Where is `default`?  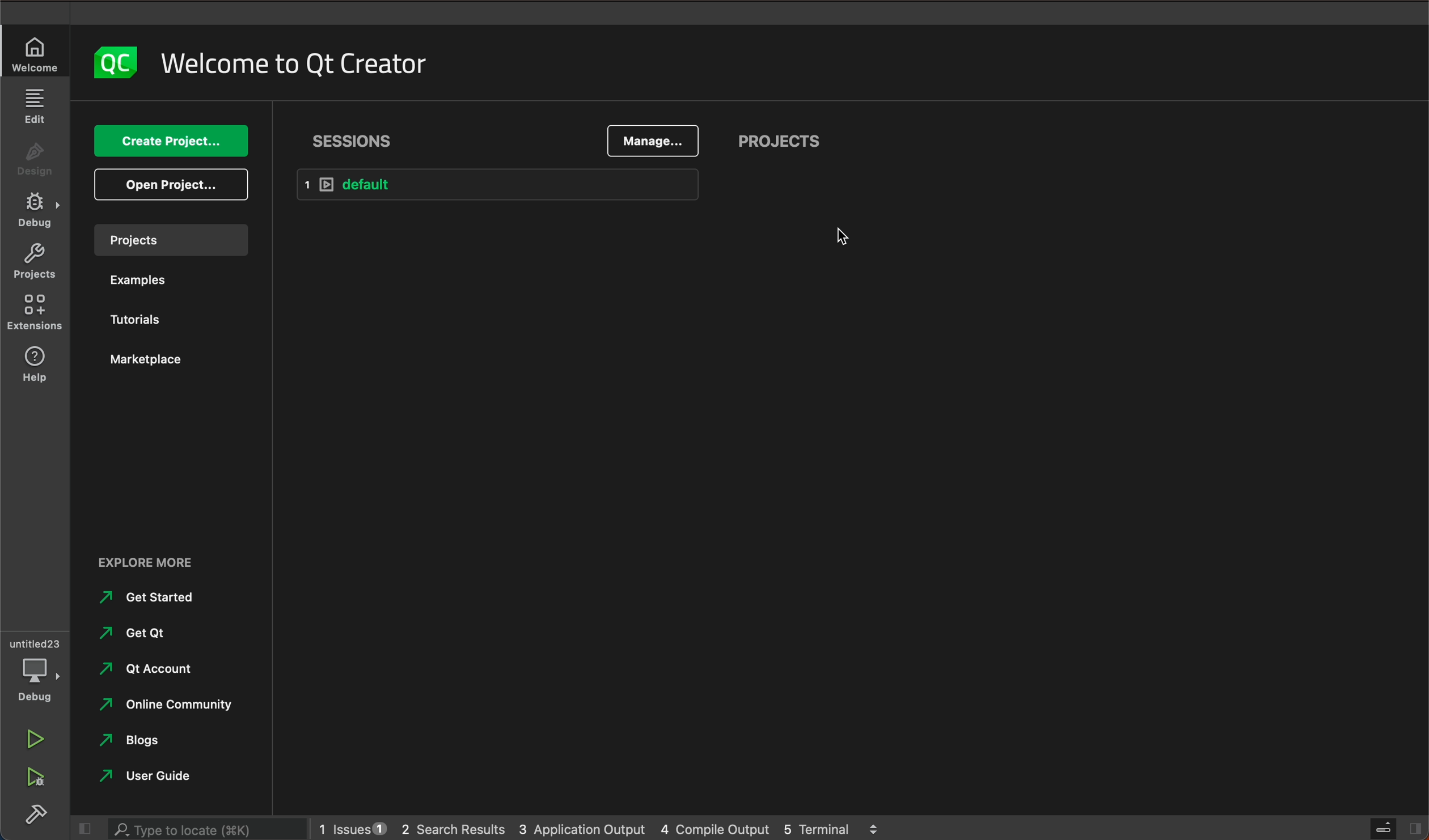 default is located at coordinates (498, 183).